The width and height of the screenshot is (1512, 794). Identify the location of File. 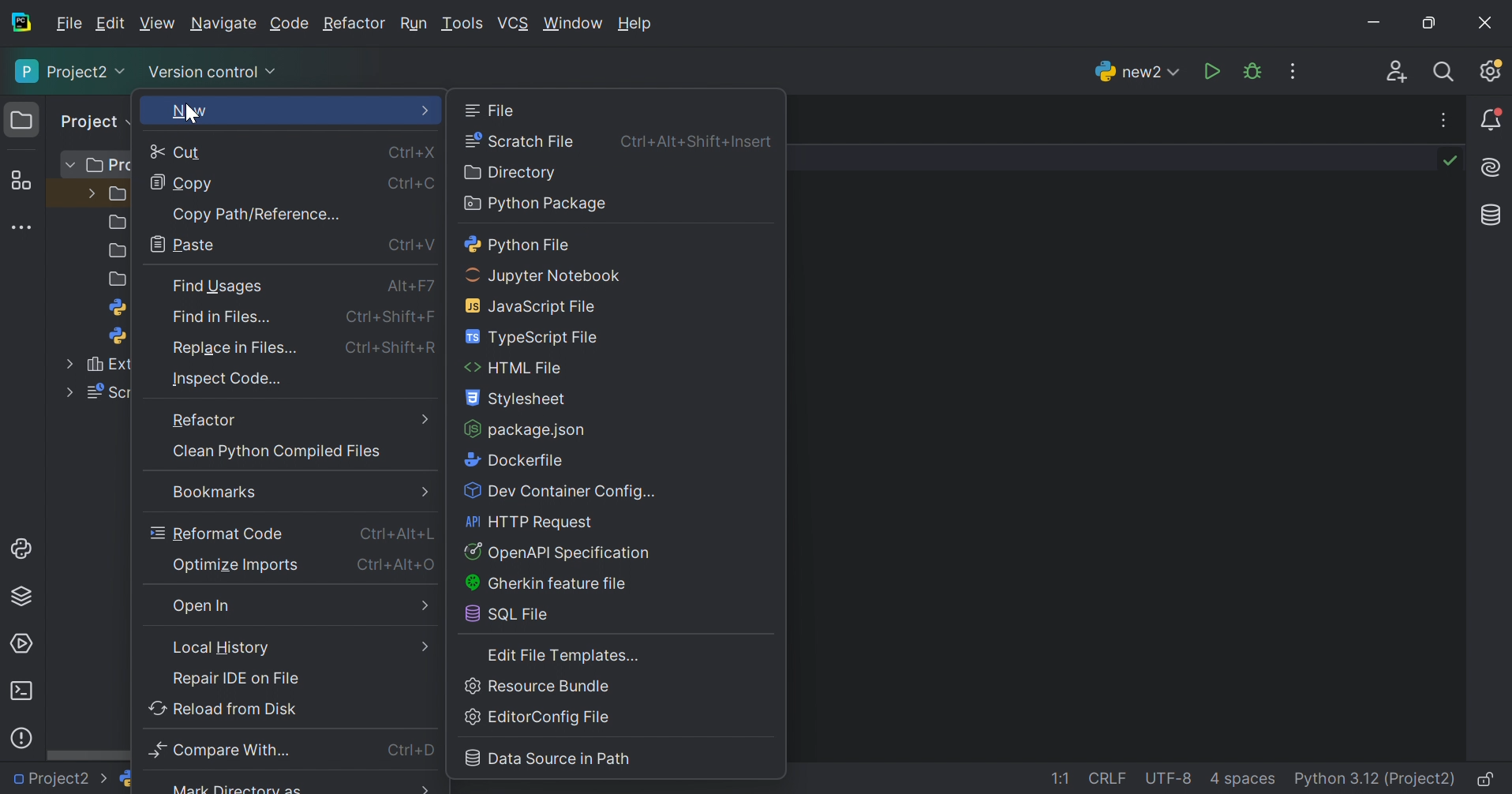
(492, 110).